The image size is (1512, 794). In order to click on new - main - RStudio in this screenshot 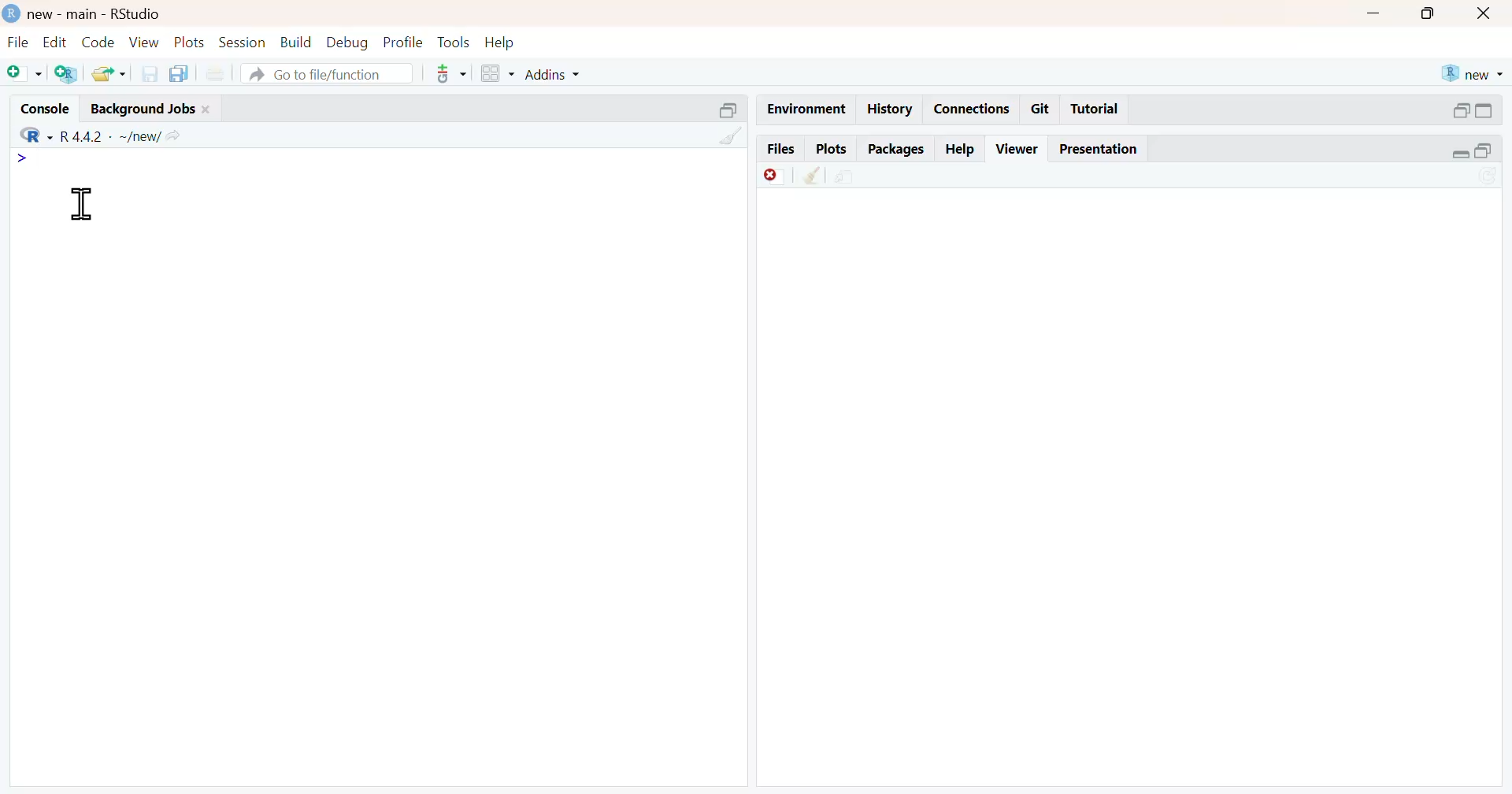, I will do `click(83, 14)`.